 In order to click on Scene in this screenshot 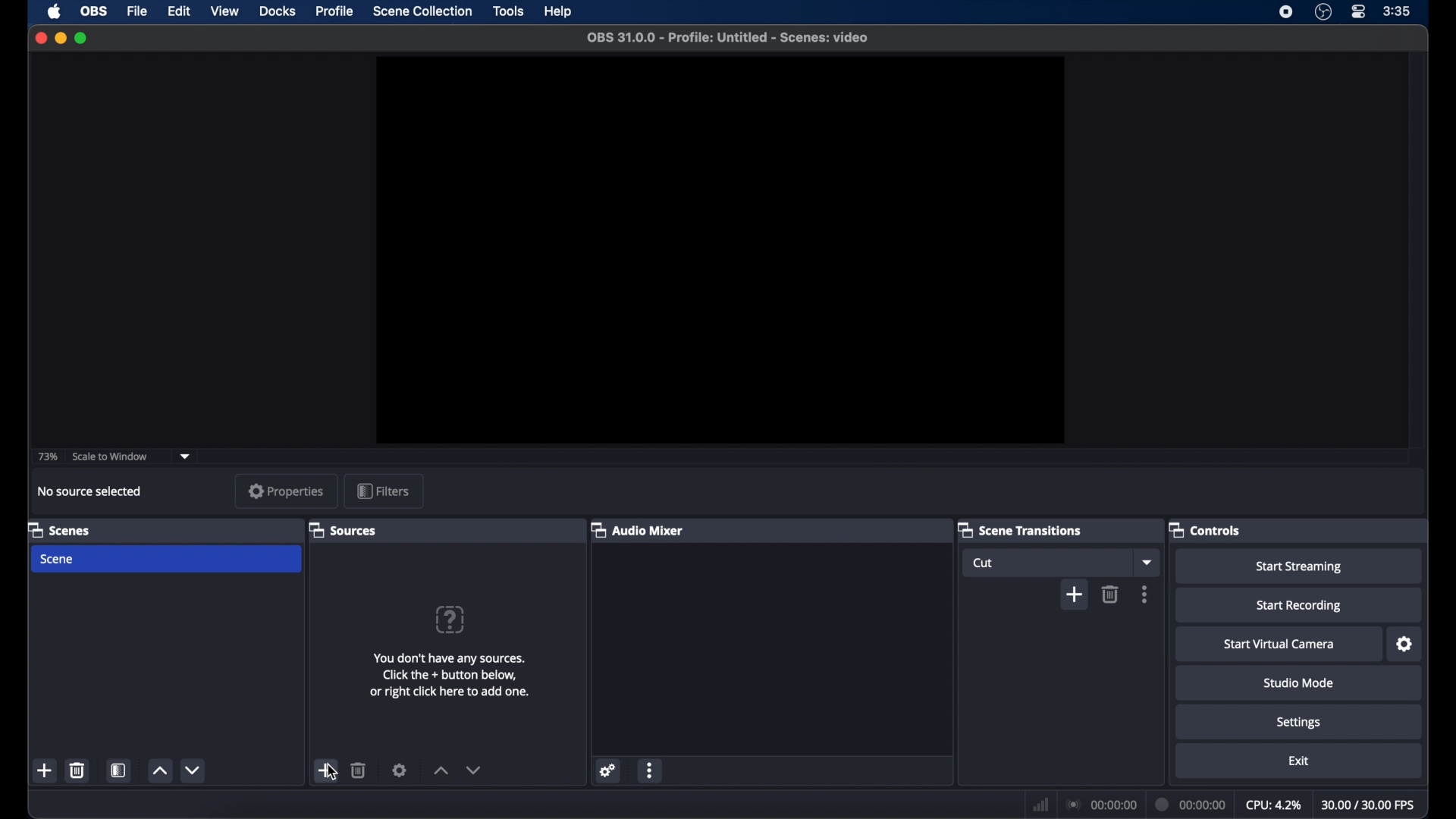, I will do `click(58, 559)`.